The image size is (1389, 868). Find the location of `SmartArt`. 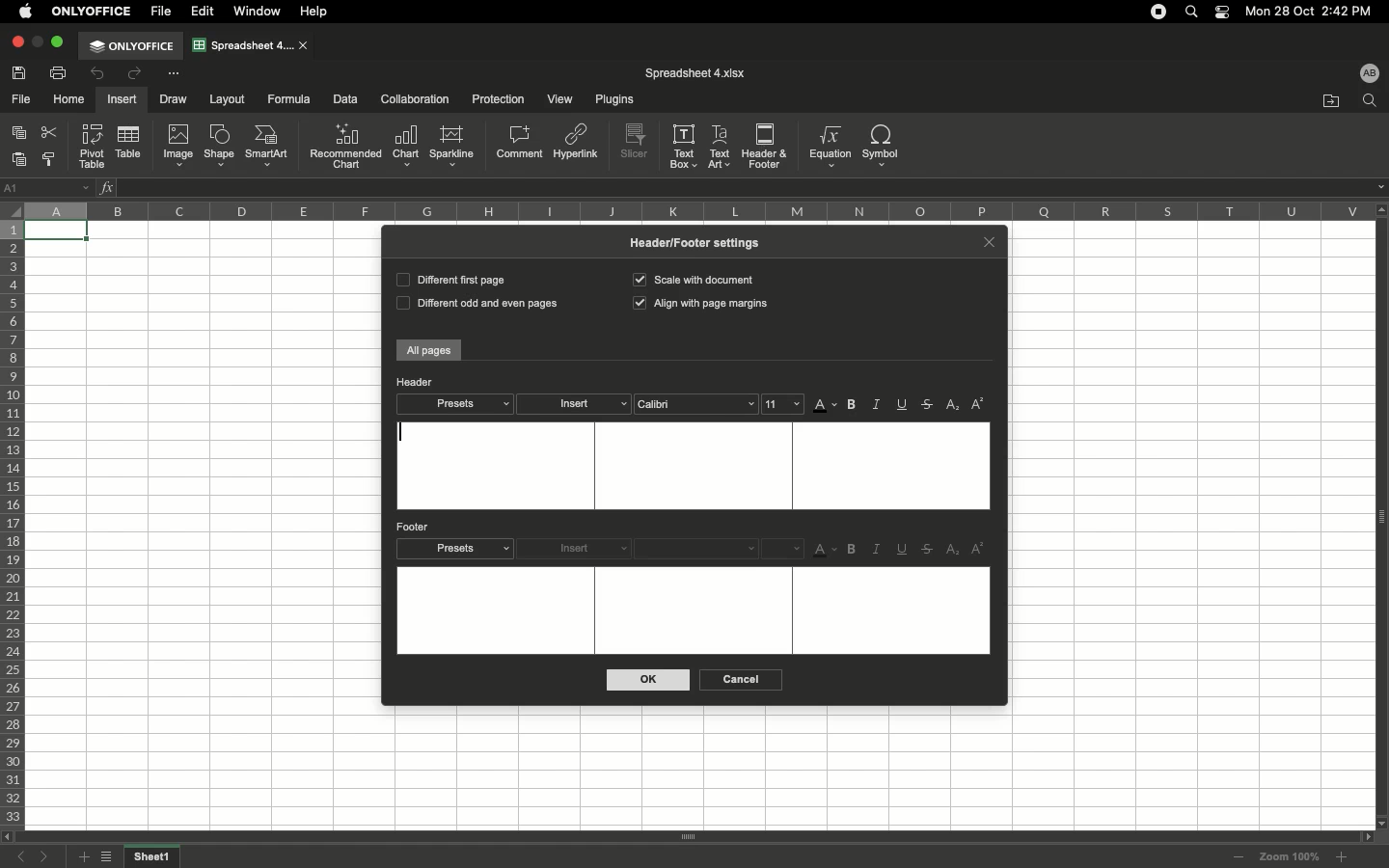

SmartArt is located at coordinates (269, 147).